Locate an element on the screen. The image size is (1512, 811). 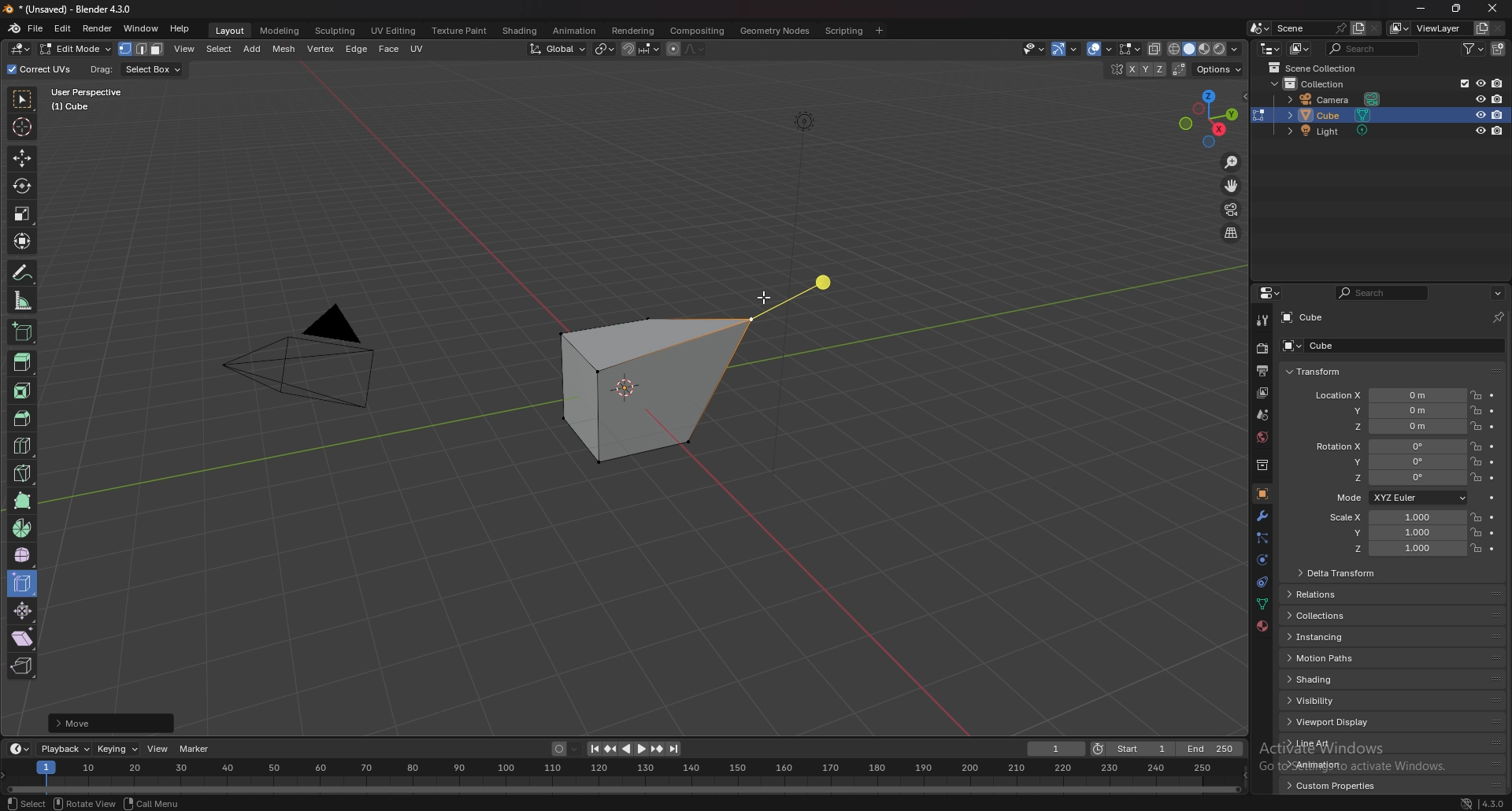
hide in viewport is located at coordinates (1480, 83).